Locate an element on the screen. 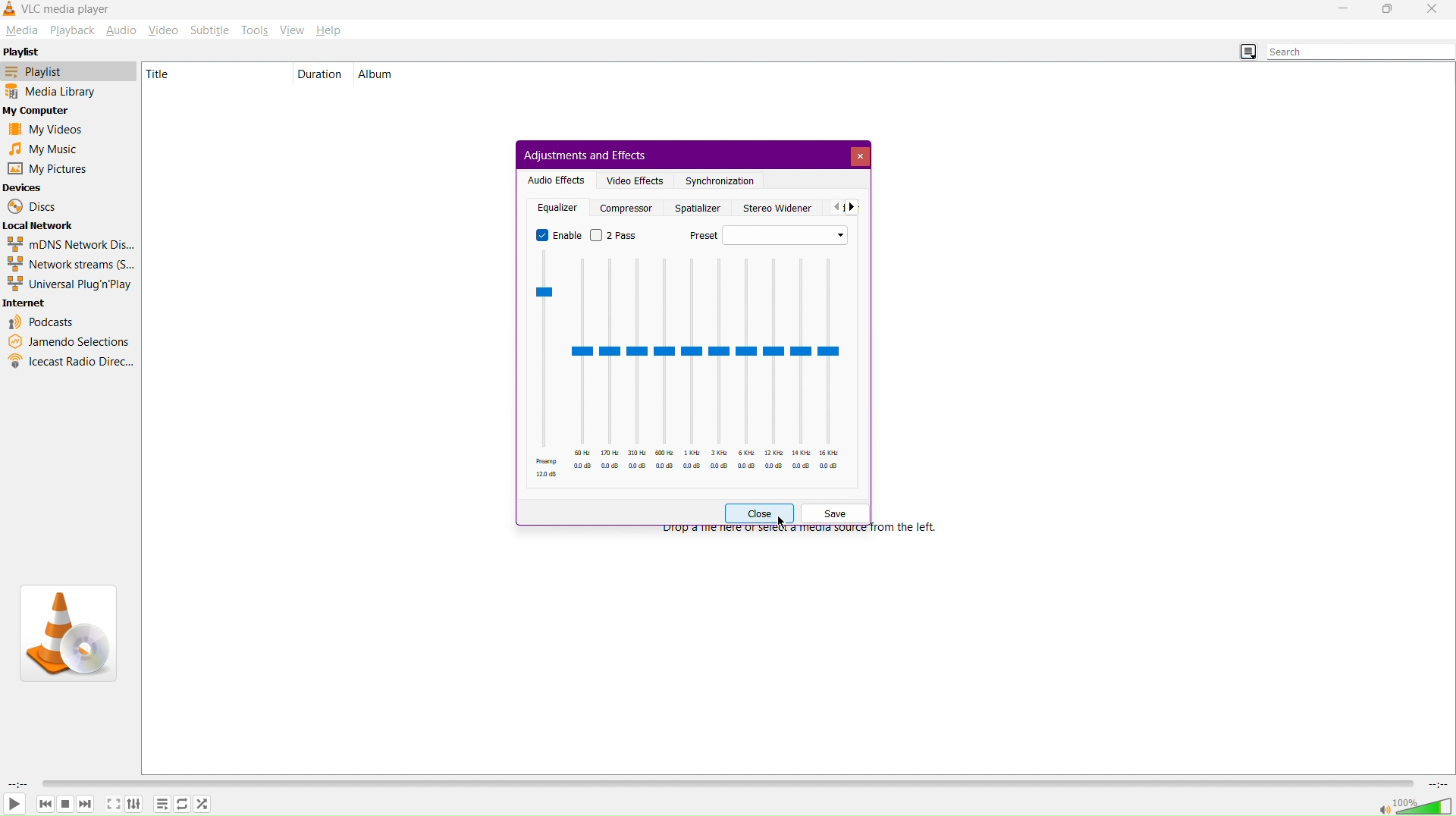  Options is located at coordinates (161, 803).